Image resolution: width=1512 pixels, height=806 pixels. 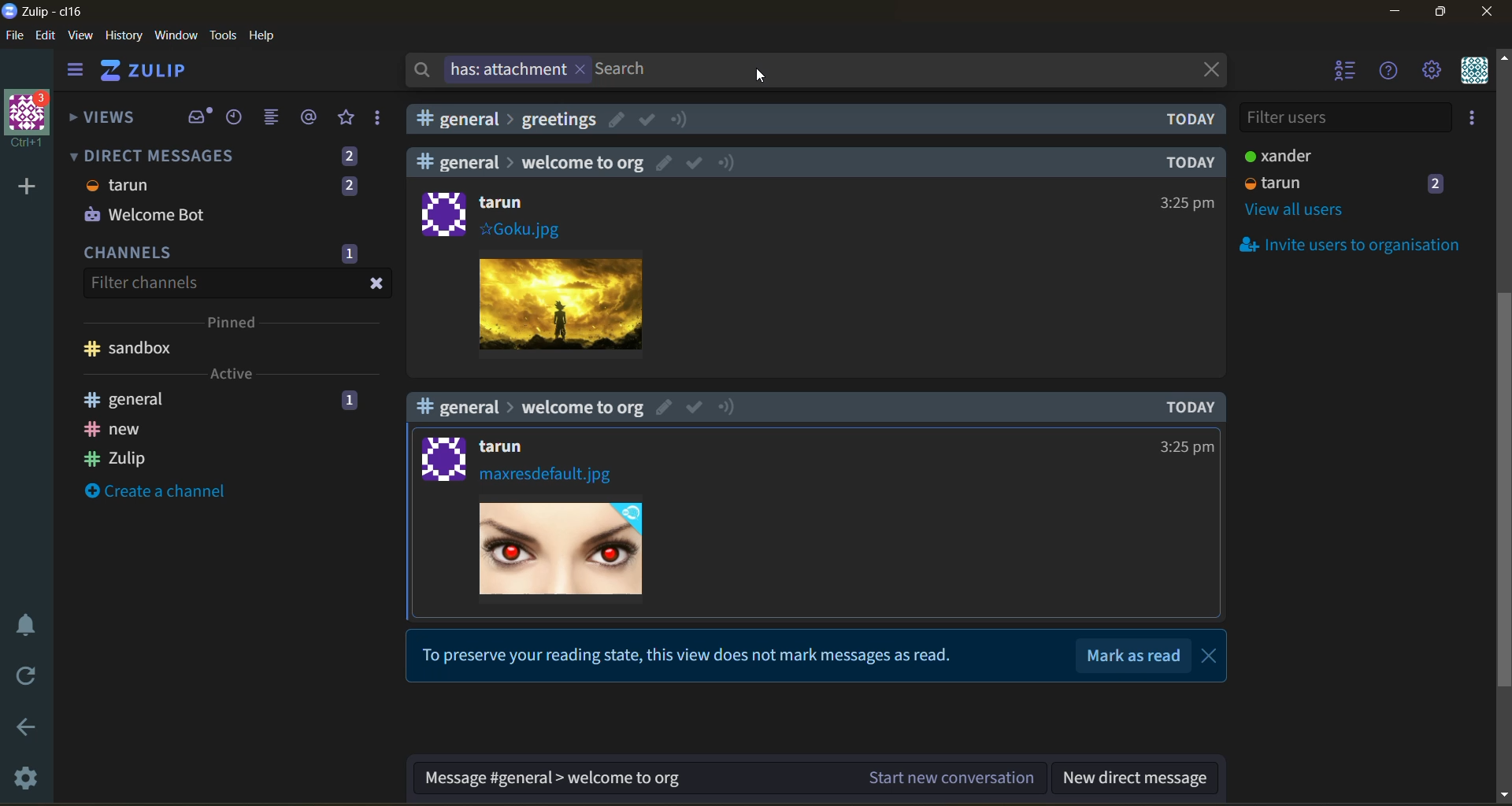 I want to click on views, so click(x=109, y=118).